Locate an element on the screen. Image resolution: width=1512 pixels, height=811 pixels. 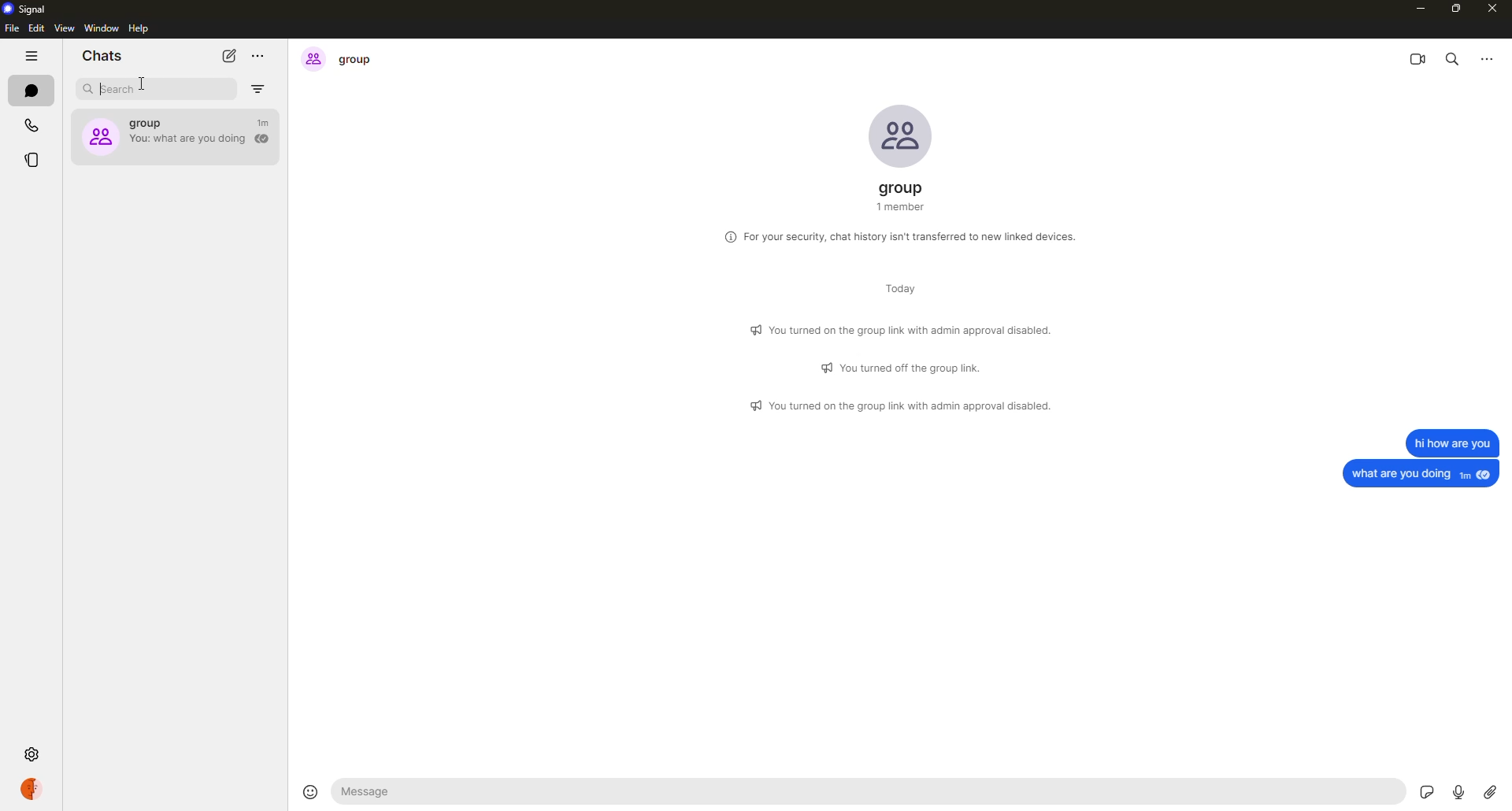
new chat is located at coordinates (228, 56).